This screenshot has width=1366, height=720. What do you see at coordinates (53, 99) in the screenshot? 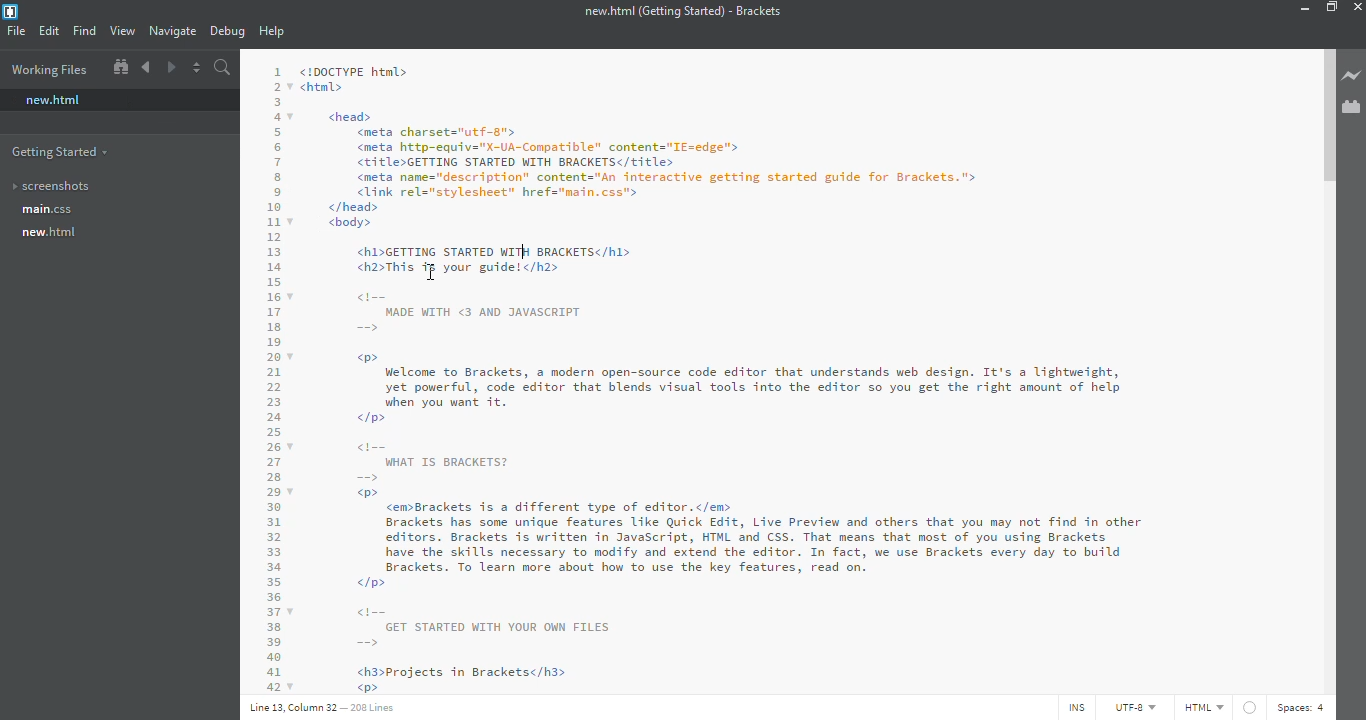
I see `new` at bounding box center [53, 99].